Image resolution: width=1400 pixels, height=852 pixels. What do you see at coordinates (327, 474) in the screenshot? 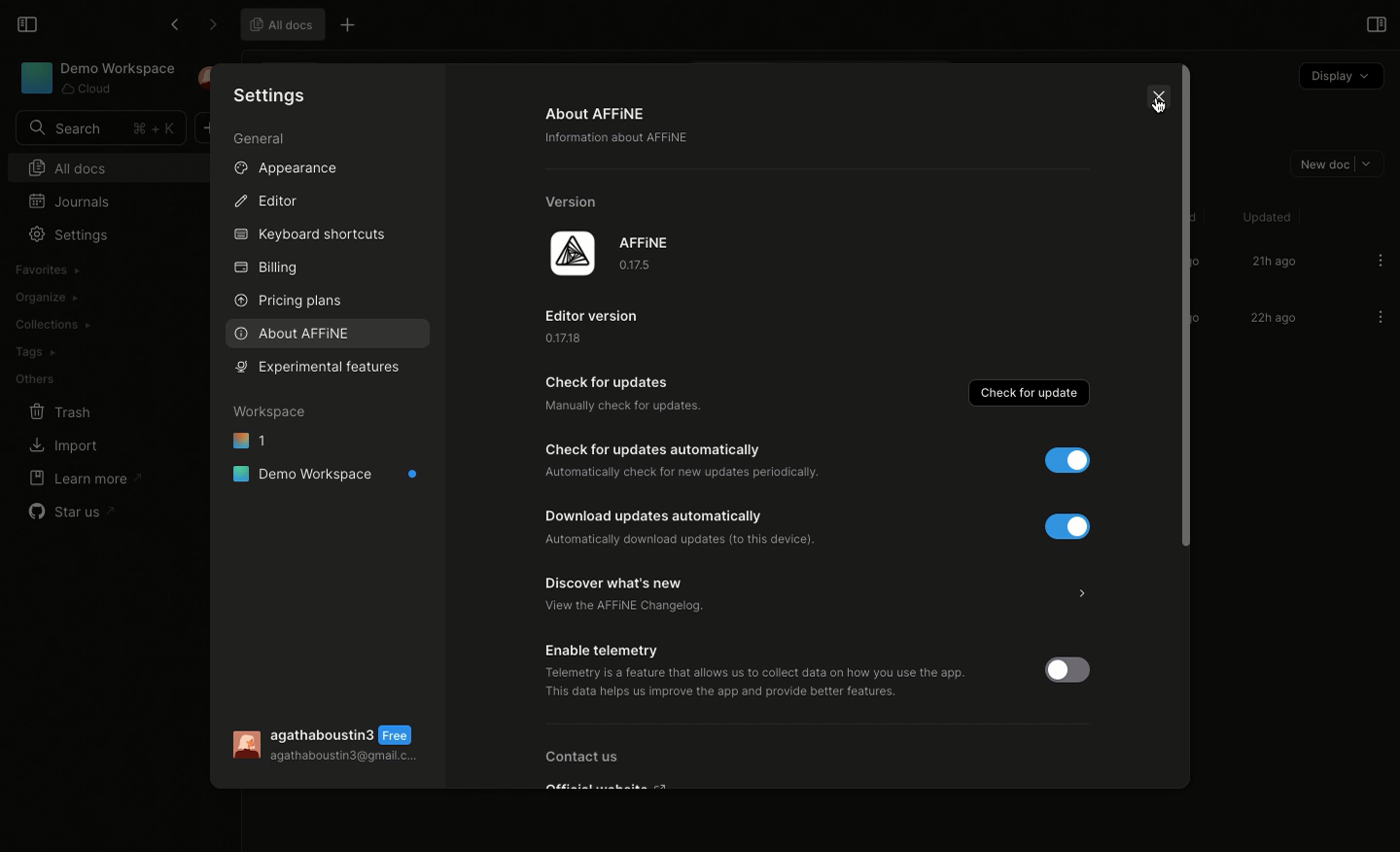
I see `Demo workspace` at bounding box center [327, 474].